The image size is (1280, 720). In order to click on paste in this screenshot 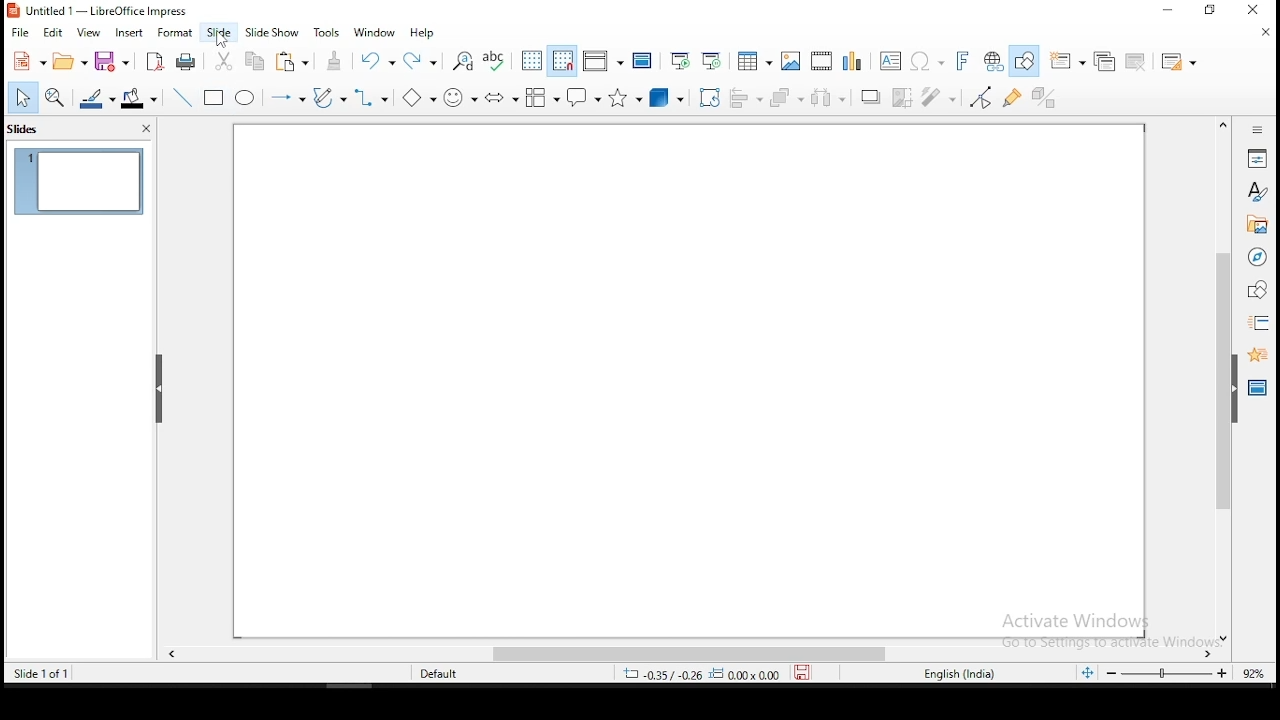, I will do `click(335, 63)`.